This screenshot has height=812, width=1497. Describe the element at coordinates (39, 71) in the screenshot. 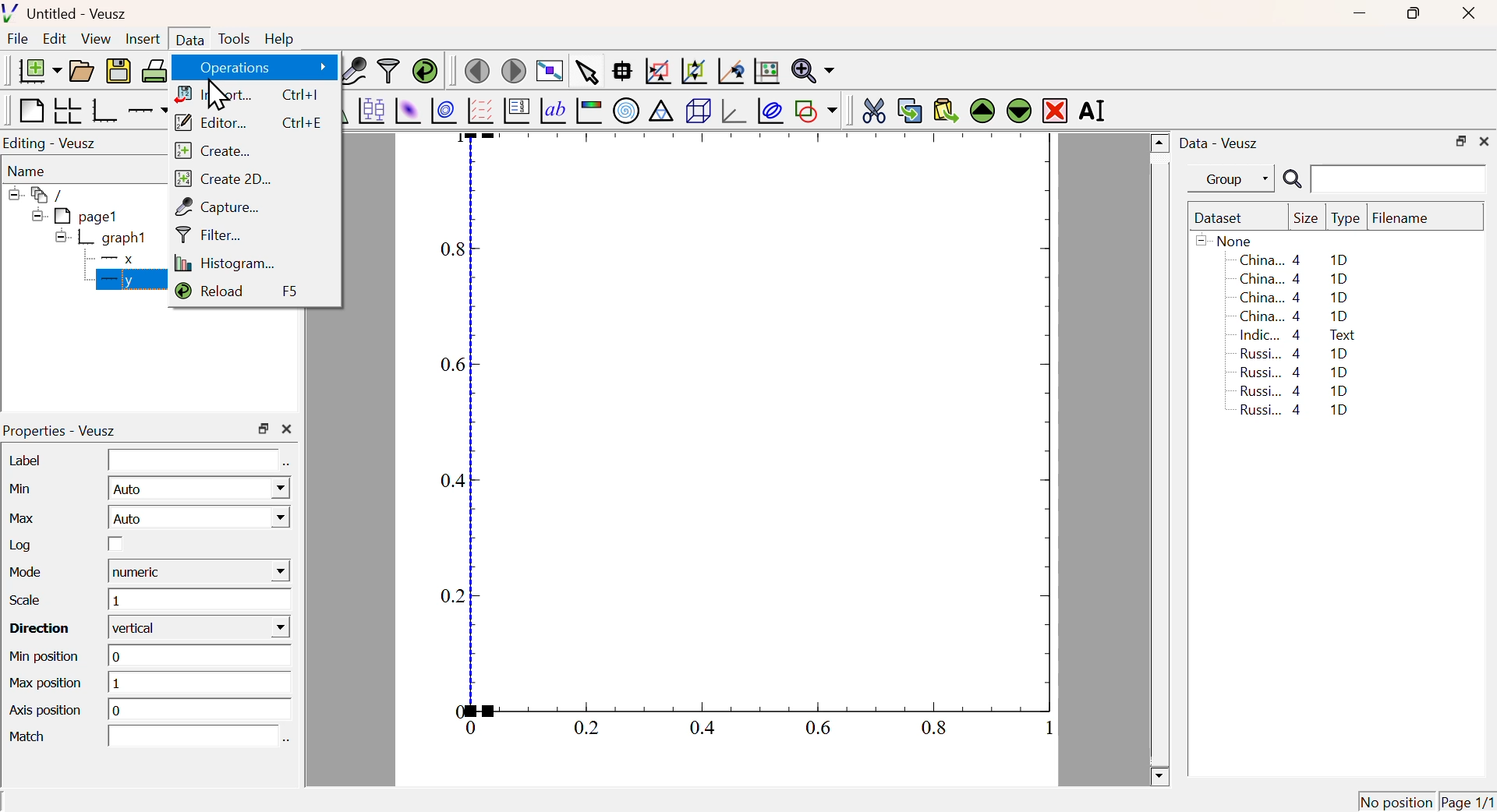

I see `New Document` at that location.